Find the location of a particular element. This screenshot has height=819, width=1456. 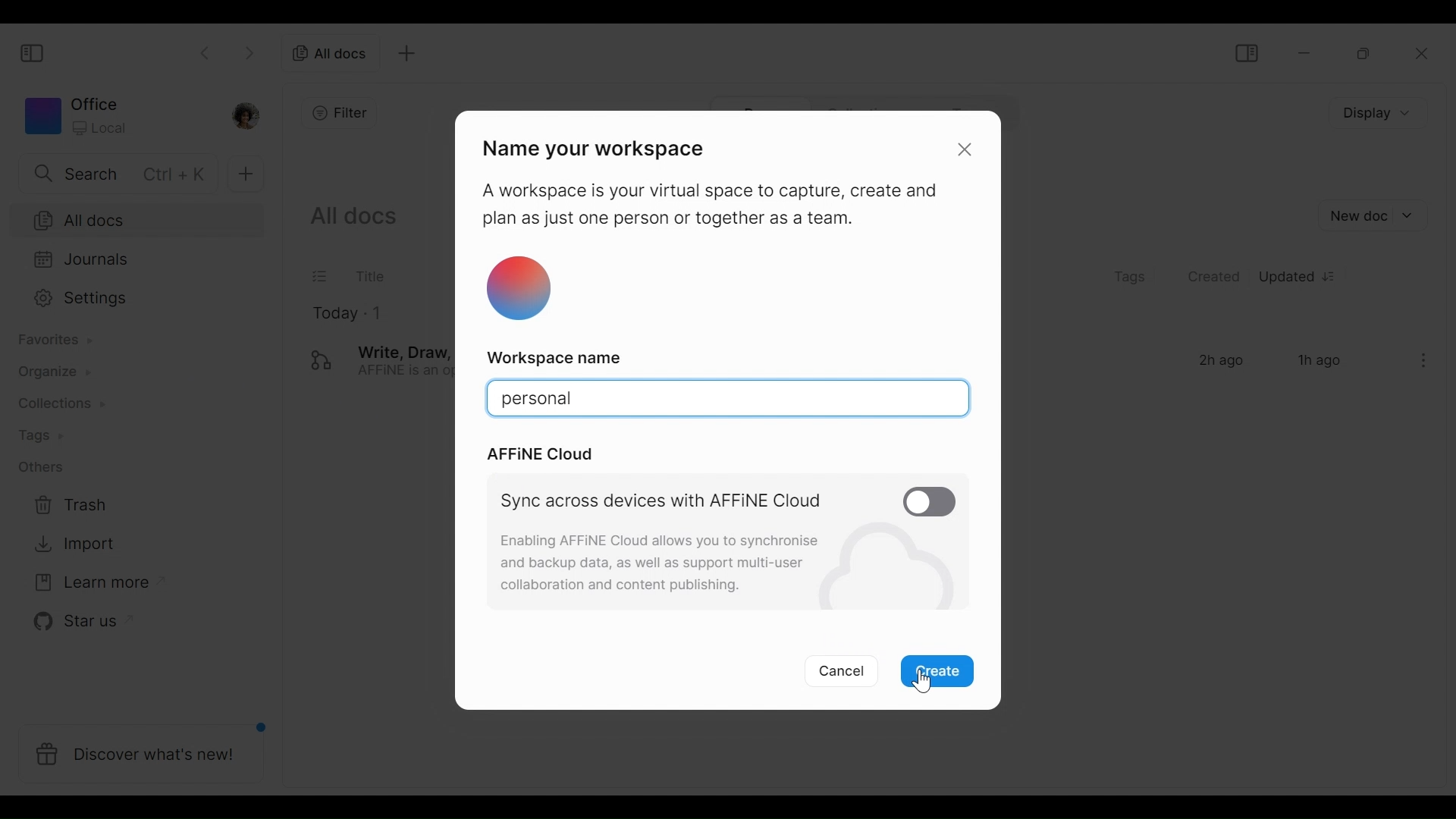

Profile photo is located at coordinates (251, 117).